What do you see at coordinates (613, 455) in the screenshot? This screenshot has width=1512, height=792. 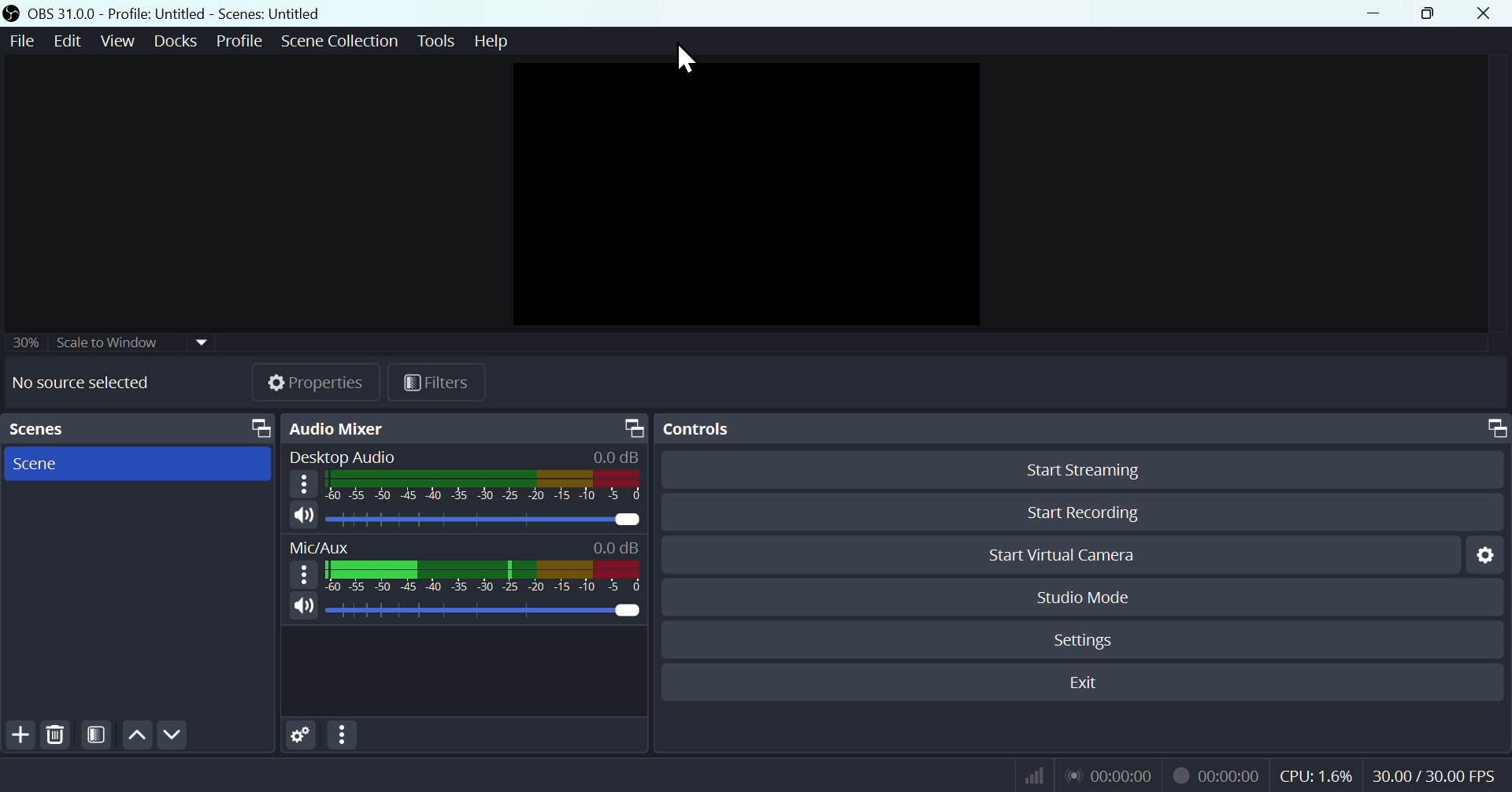 I see `0.0dB` at bounding box center [613, 455].